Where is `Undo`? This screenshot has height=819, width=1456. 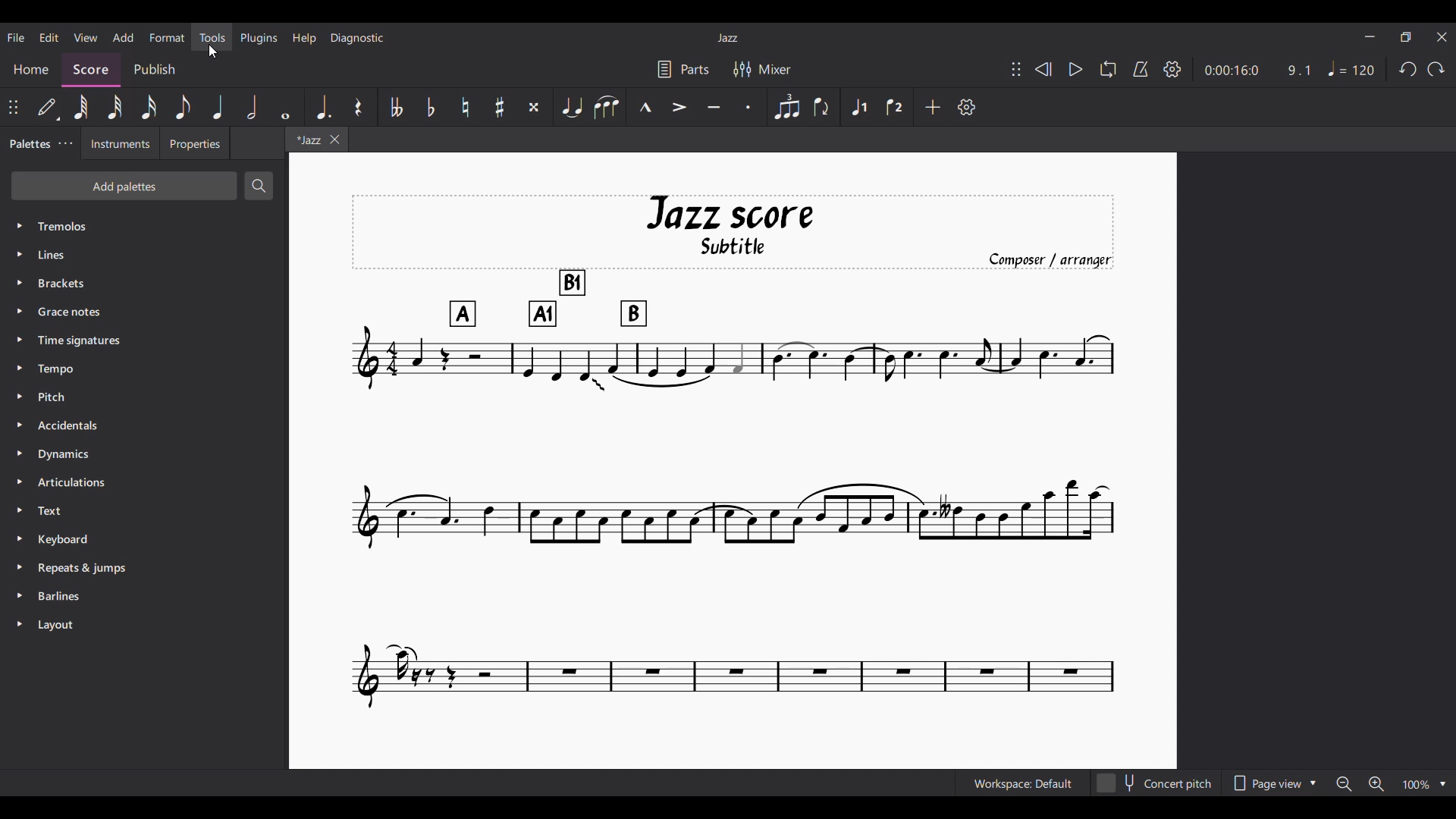
Undo is located at coordinates (1408, 70).